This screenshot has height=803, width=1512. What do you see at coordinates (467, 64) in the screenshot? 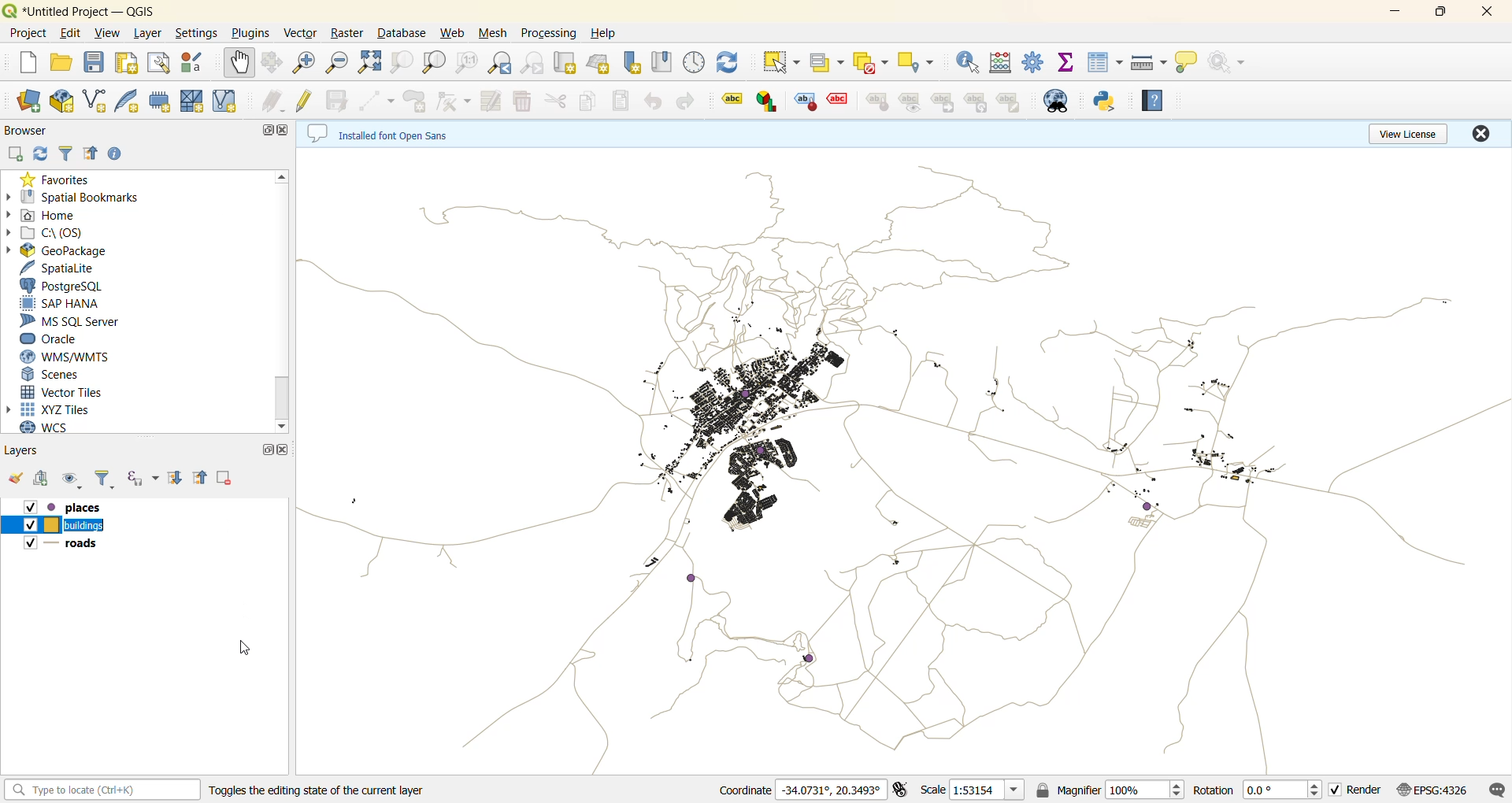
I see `zoom native` at bounding box center [467, 64].